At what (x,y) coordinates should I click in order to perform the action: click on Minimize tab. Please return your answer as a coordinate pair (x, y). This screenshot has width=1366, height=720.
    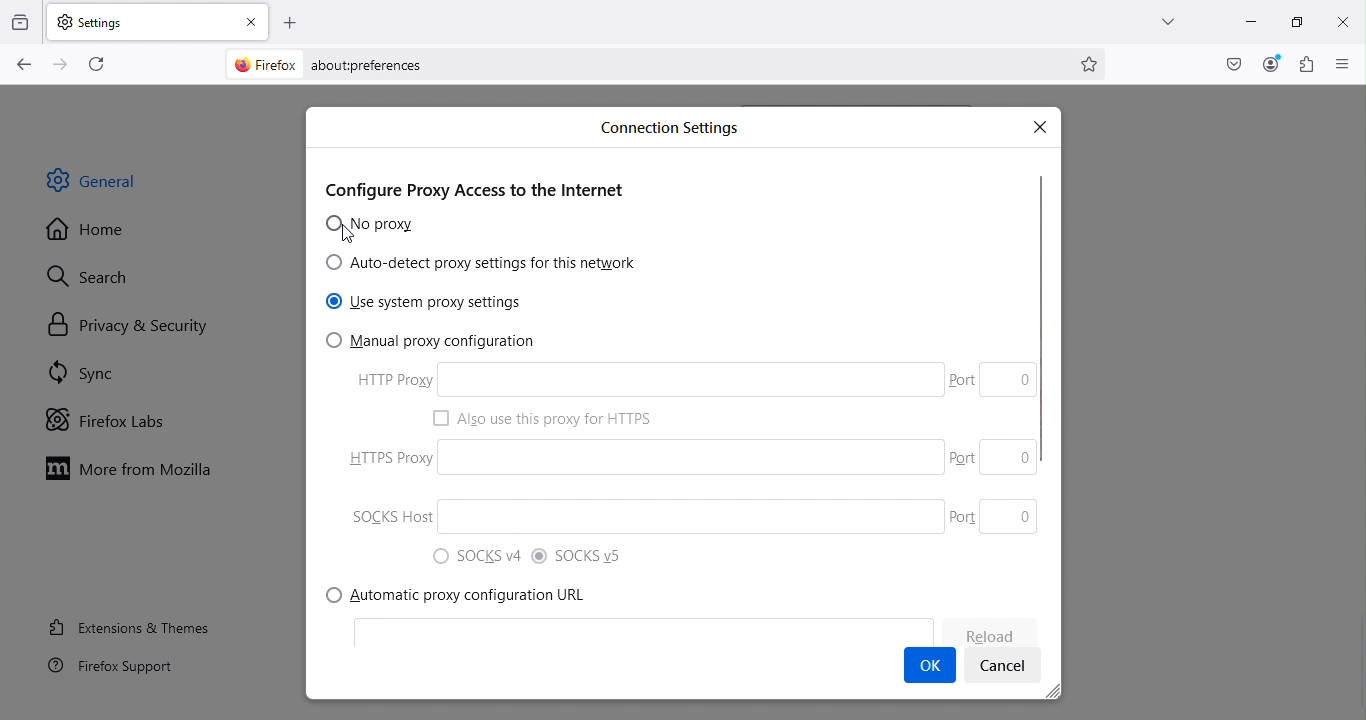
    Looking at the image, I should click on (1245, 24).